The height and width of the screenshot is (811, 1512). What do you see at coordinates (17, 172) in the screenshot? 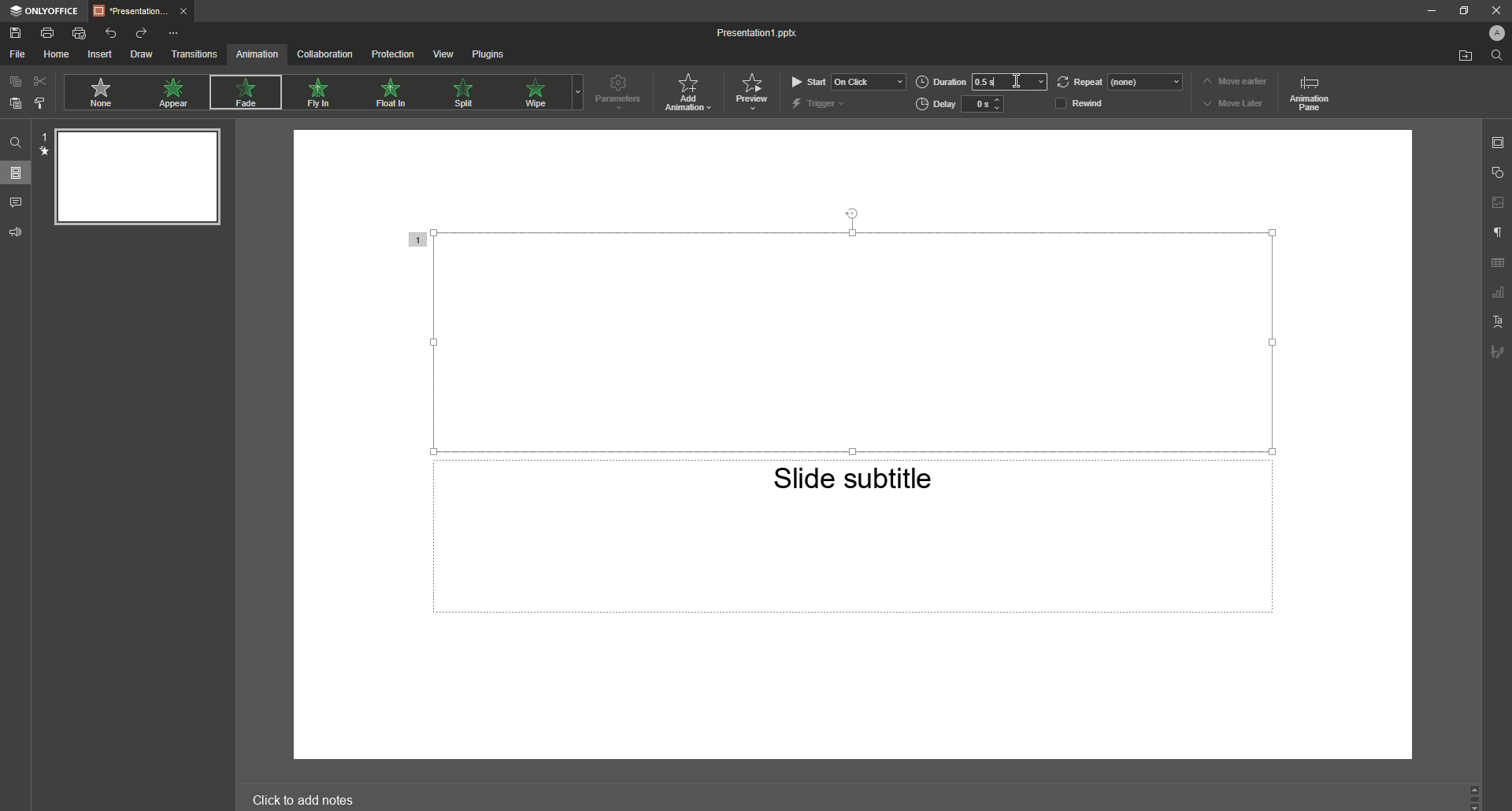
I see `Slides` at bounding box center [17, 172].